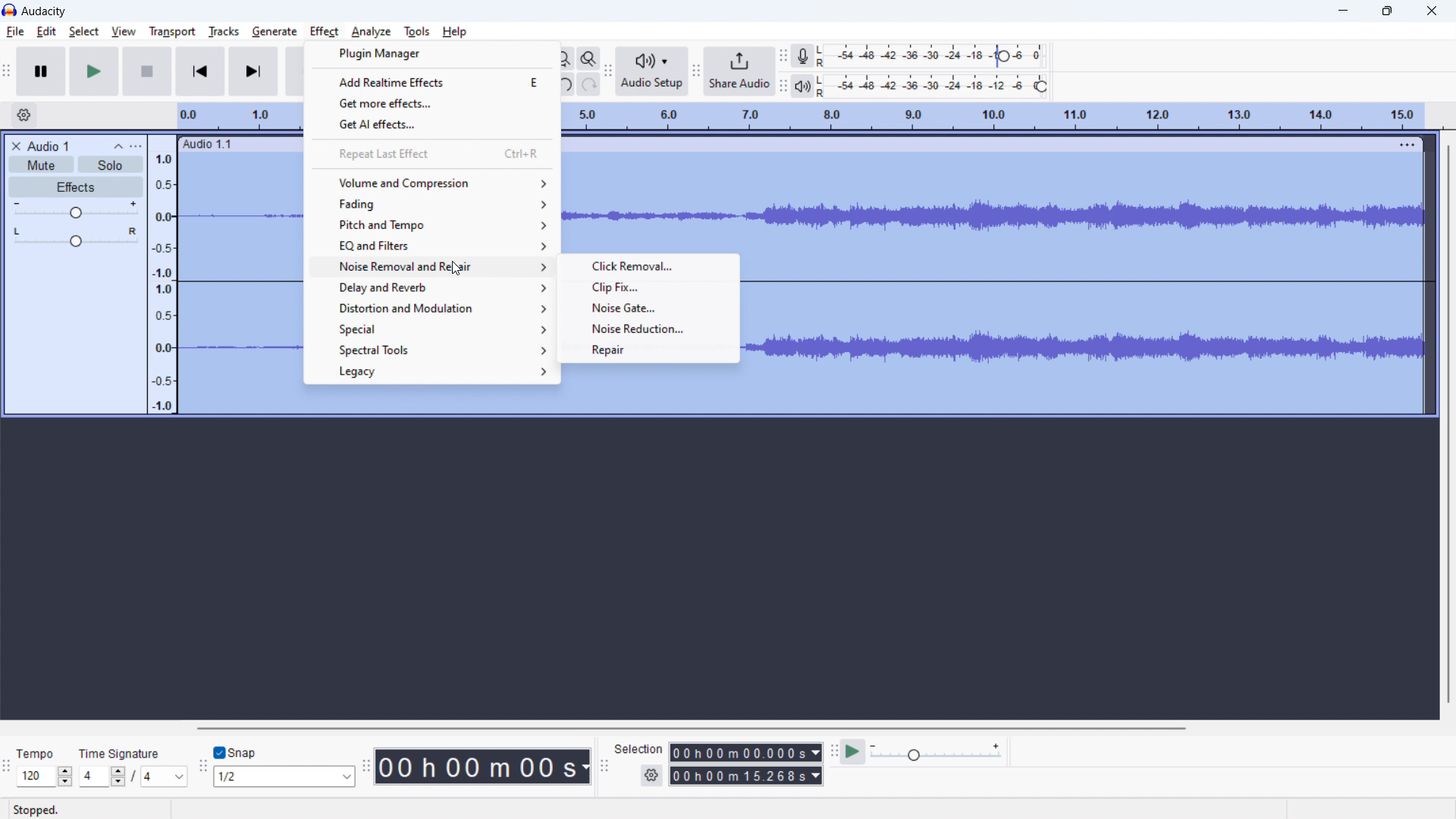  I want to click on horizontal scrollbar, so click(692, 729).